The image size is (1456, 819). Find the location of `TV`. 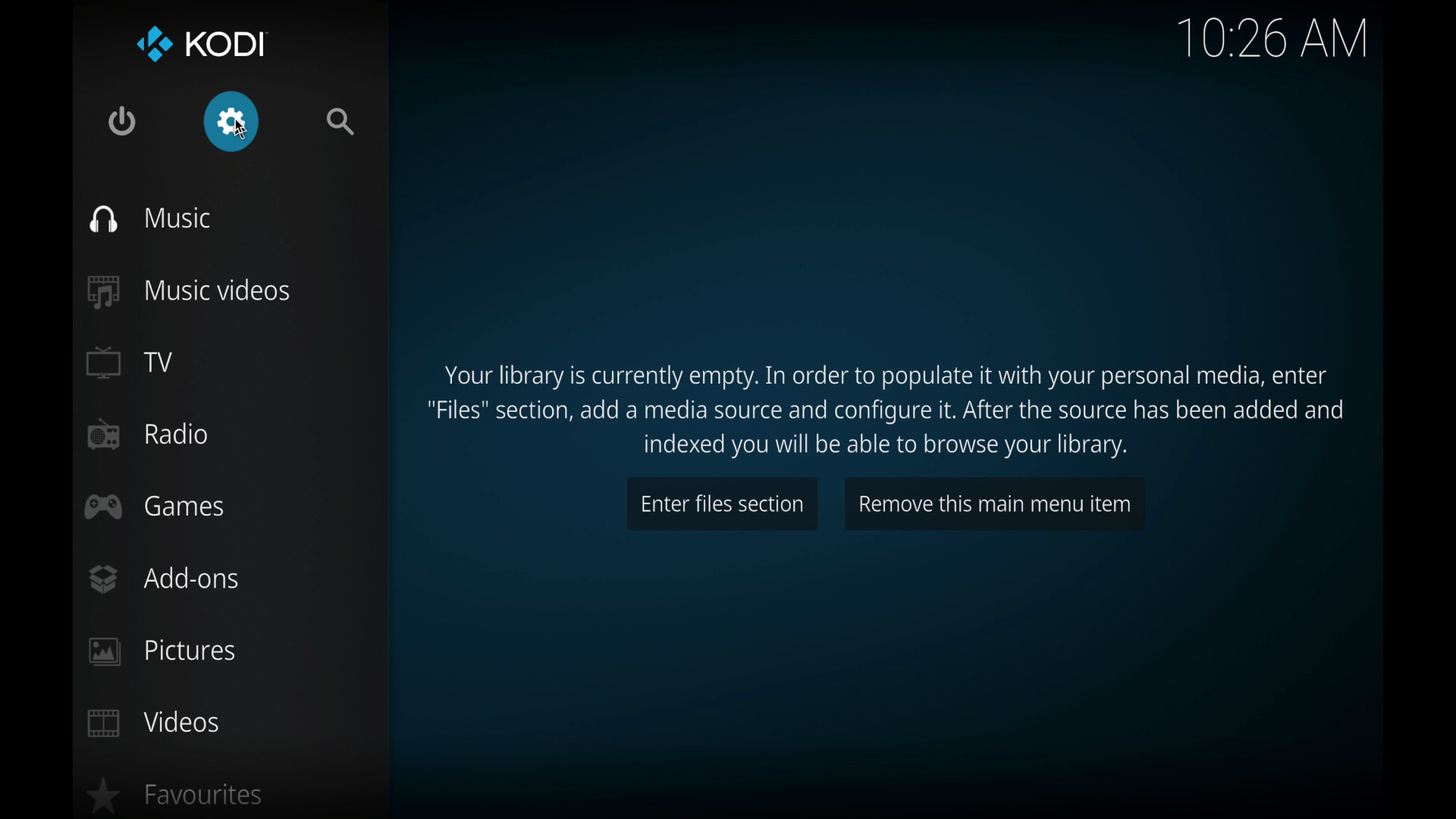

TV is located at coordinates (131, 362).